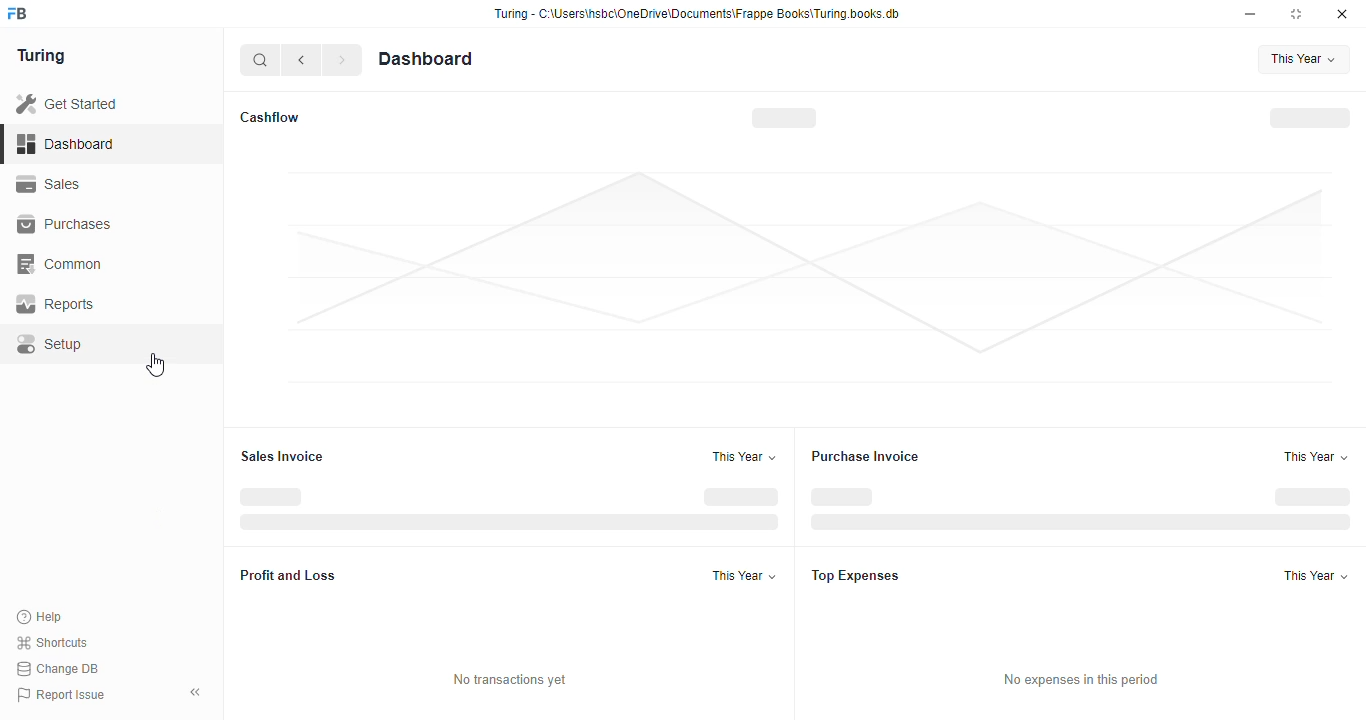  Describe the element at coordinates (1250, 14) in the screenshot. I see `minimize` at that location.